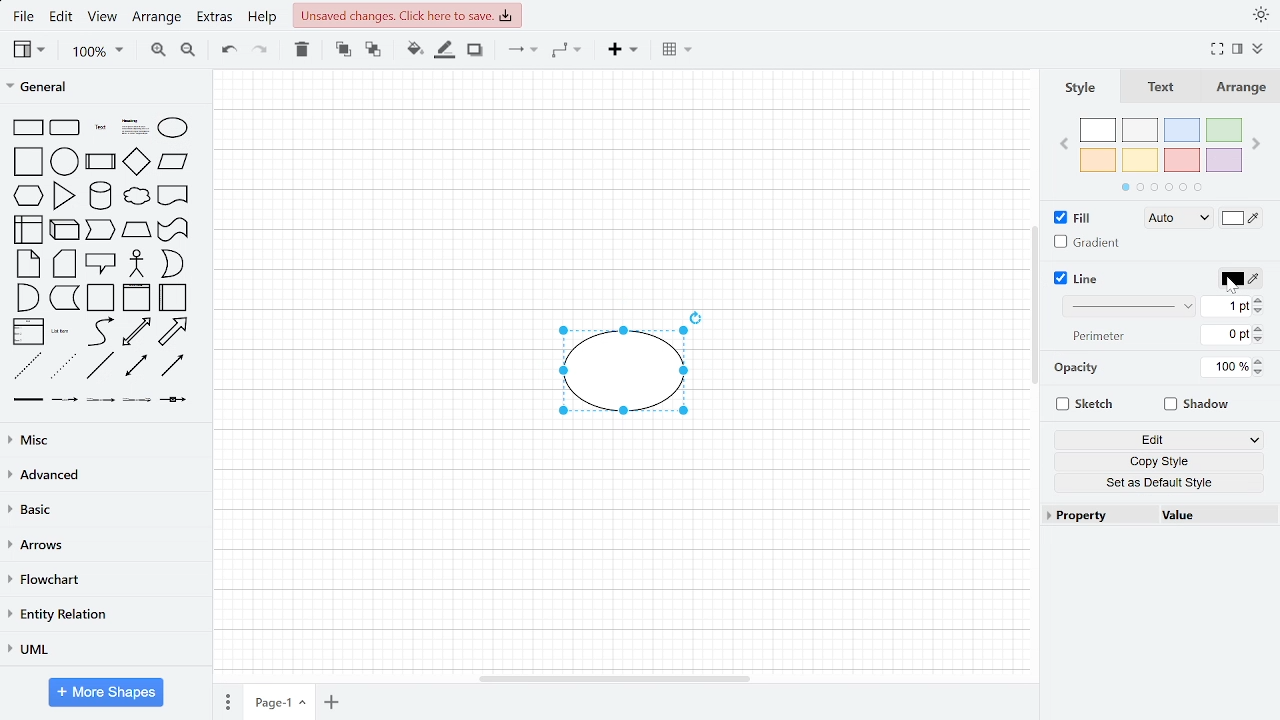 This screenshot has height=720, width=1280. I want to click on fILE, so click(20, 19).